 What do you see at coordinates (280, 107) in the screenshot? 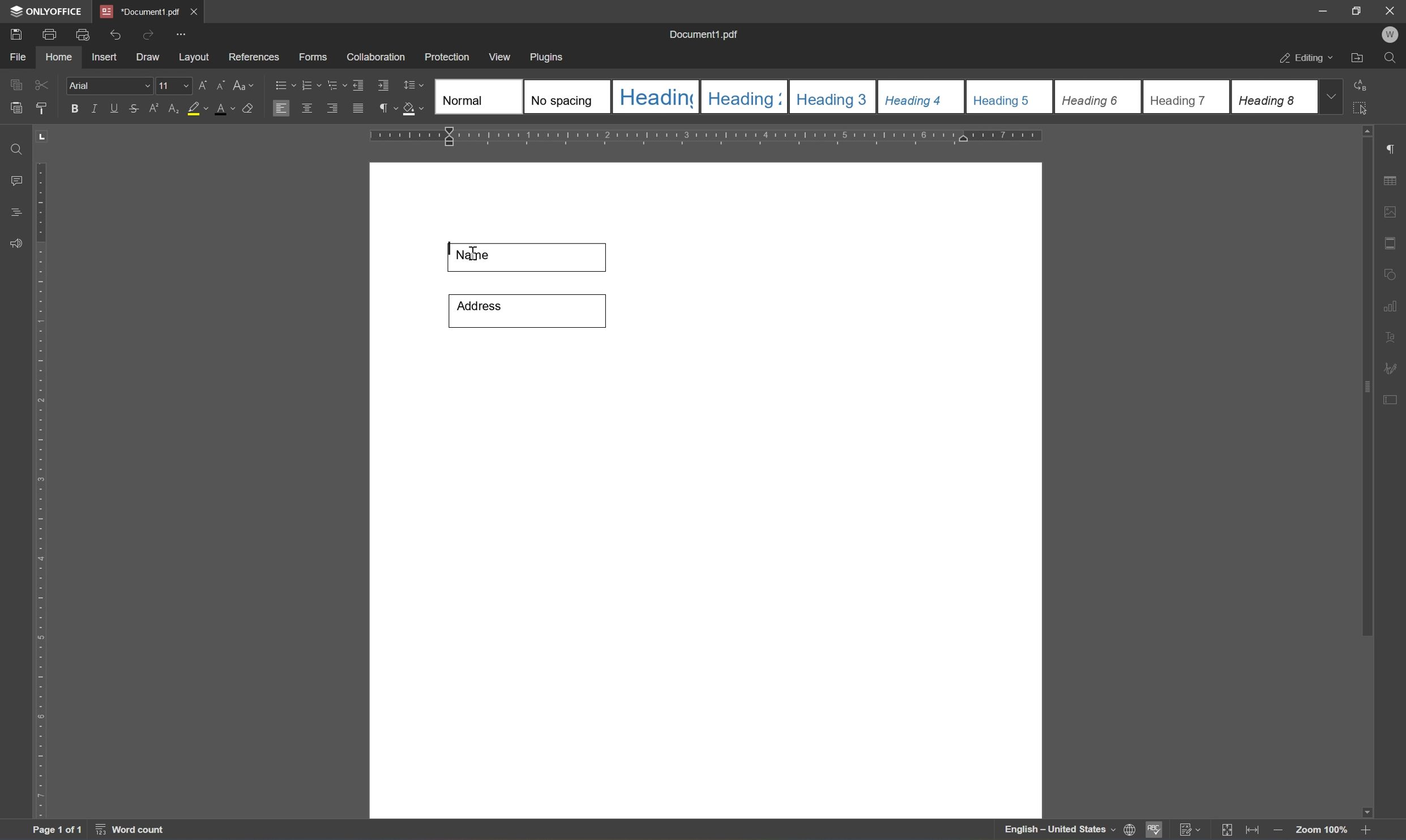
I see `align left` at bounding box center [280, 107].